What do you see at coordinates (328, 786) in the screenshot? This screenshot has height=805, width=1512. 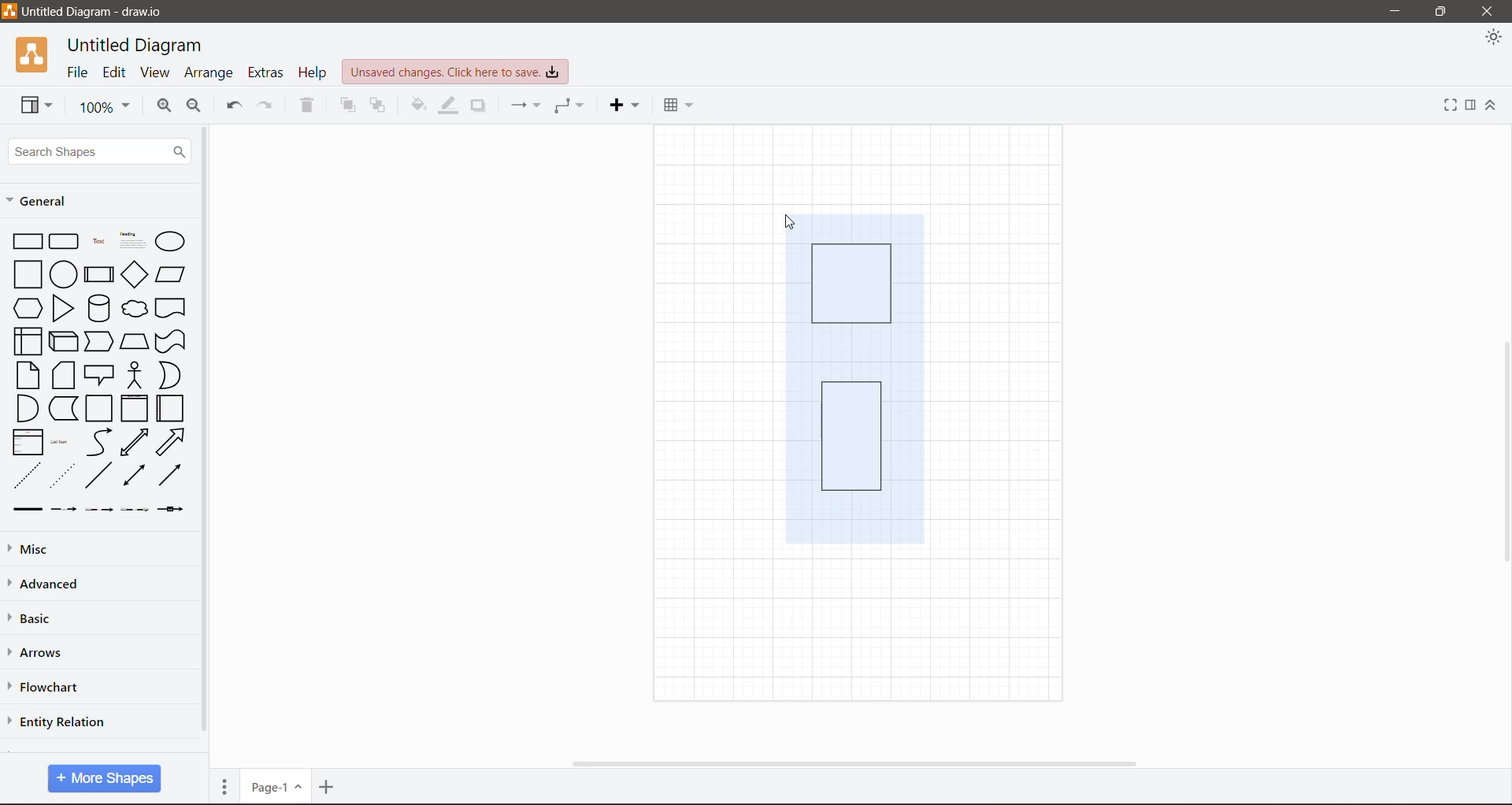 I see `Insert Page` at bounding box center [328, 786].